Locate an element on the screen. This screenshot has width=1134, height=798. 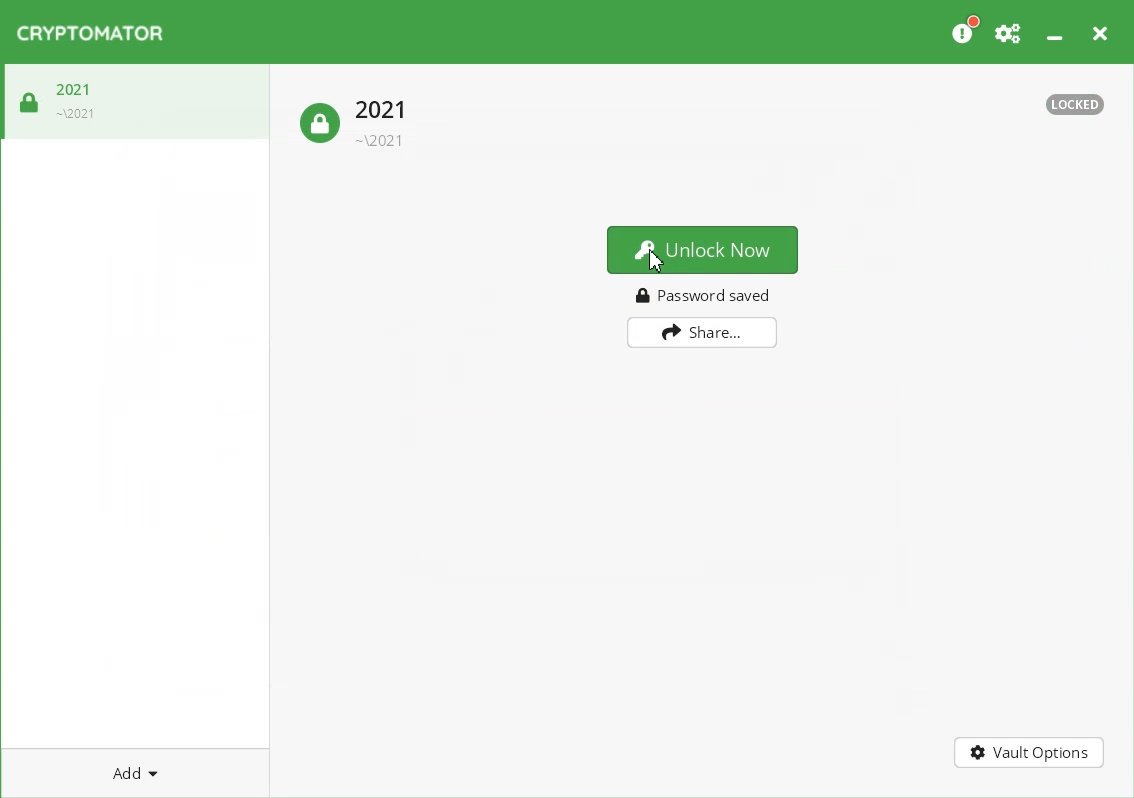
Text is located at coordinates (1065, 104).